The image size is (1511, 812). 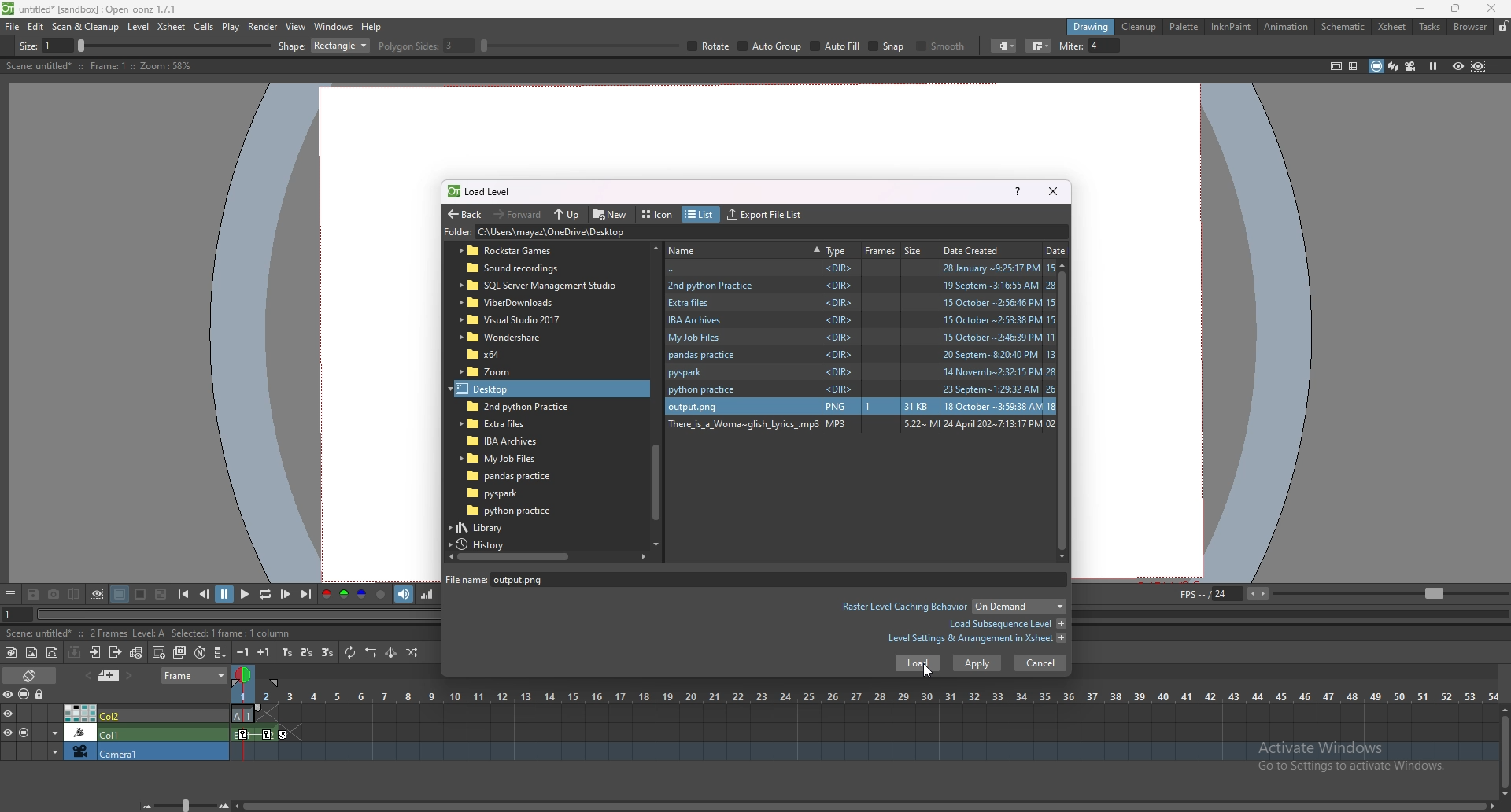 I want to click on visibility camera stand lock, so click(x=26, y=694).